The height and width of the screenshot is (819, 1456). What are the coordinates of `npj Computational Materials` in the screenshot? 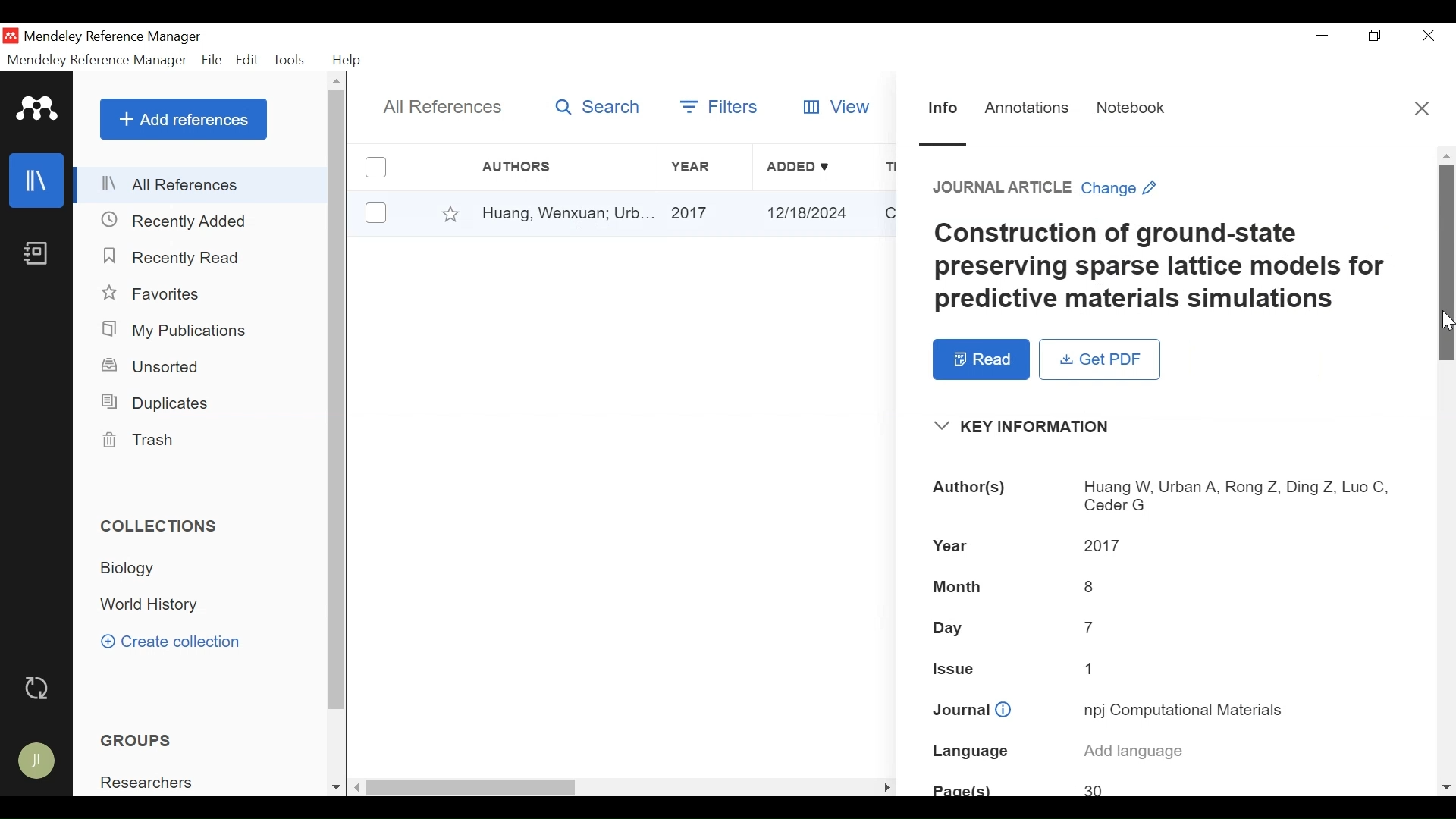 It's located at (1189, 712).